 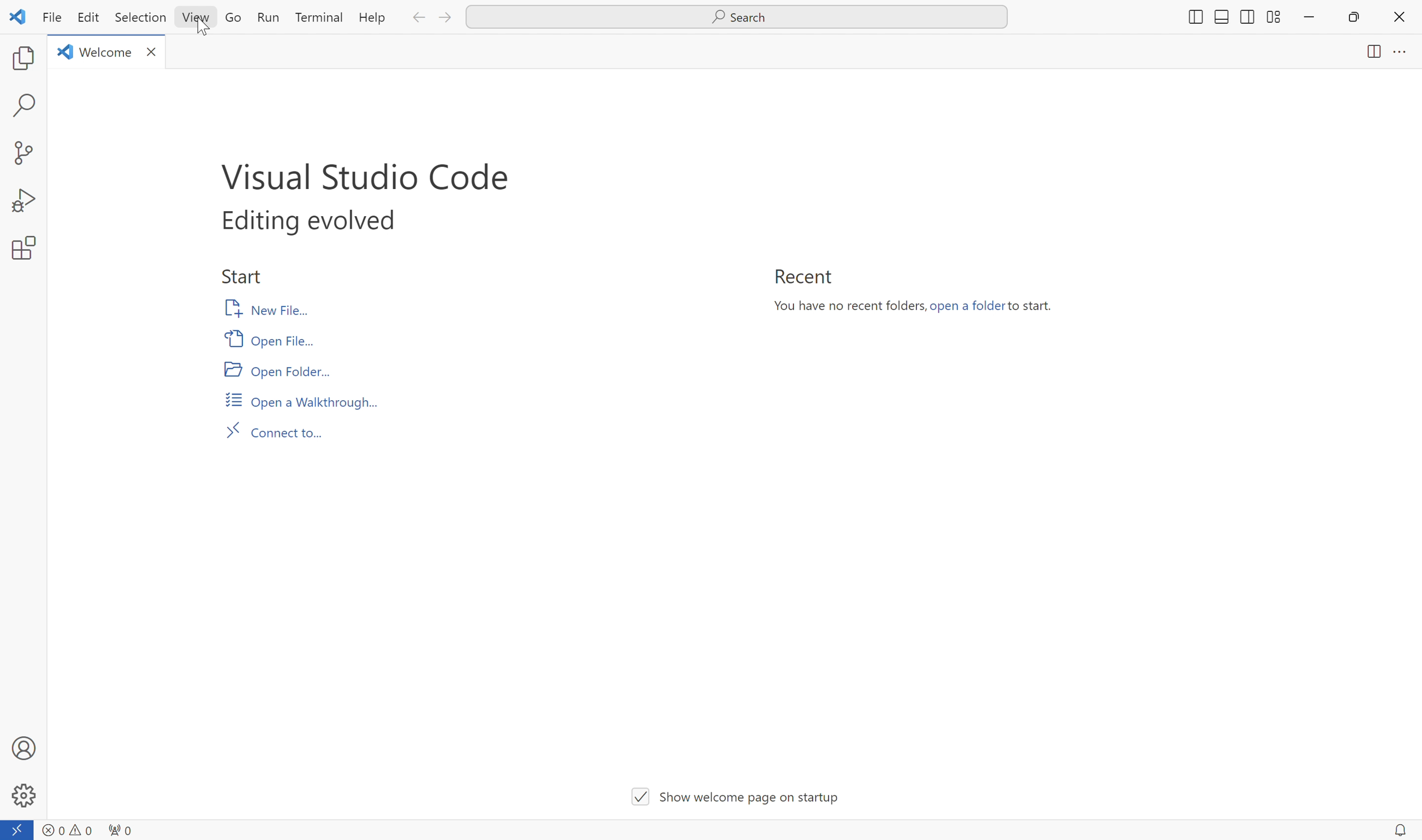 I want to click on close, so click(x=154, y=54).